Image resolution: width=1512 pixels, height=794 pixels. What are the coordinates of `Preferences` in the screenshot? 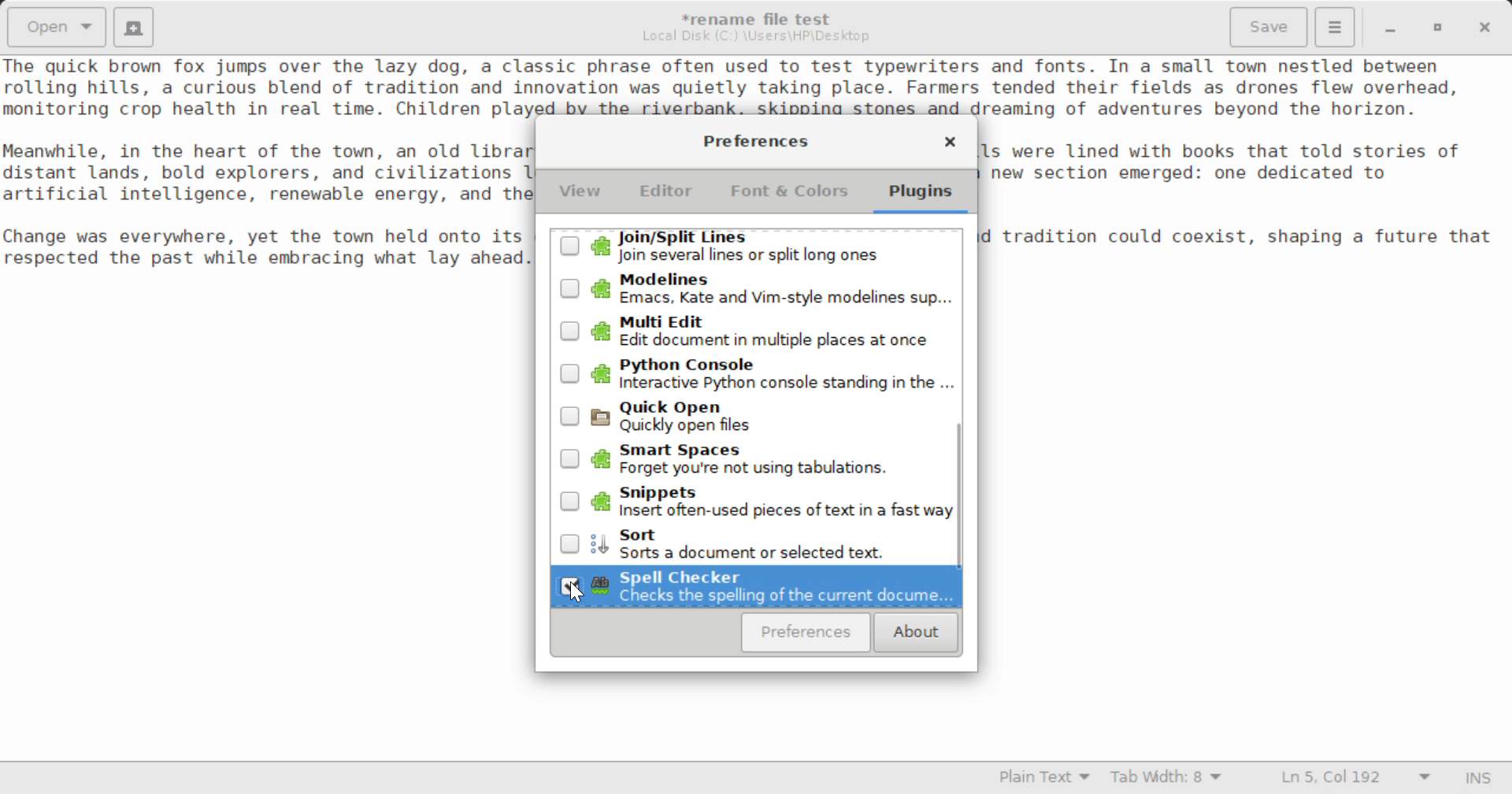 It's located at (806, 633).